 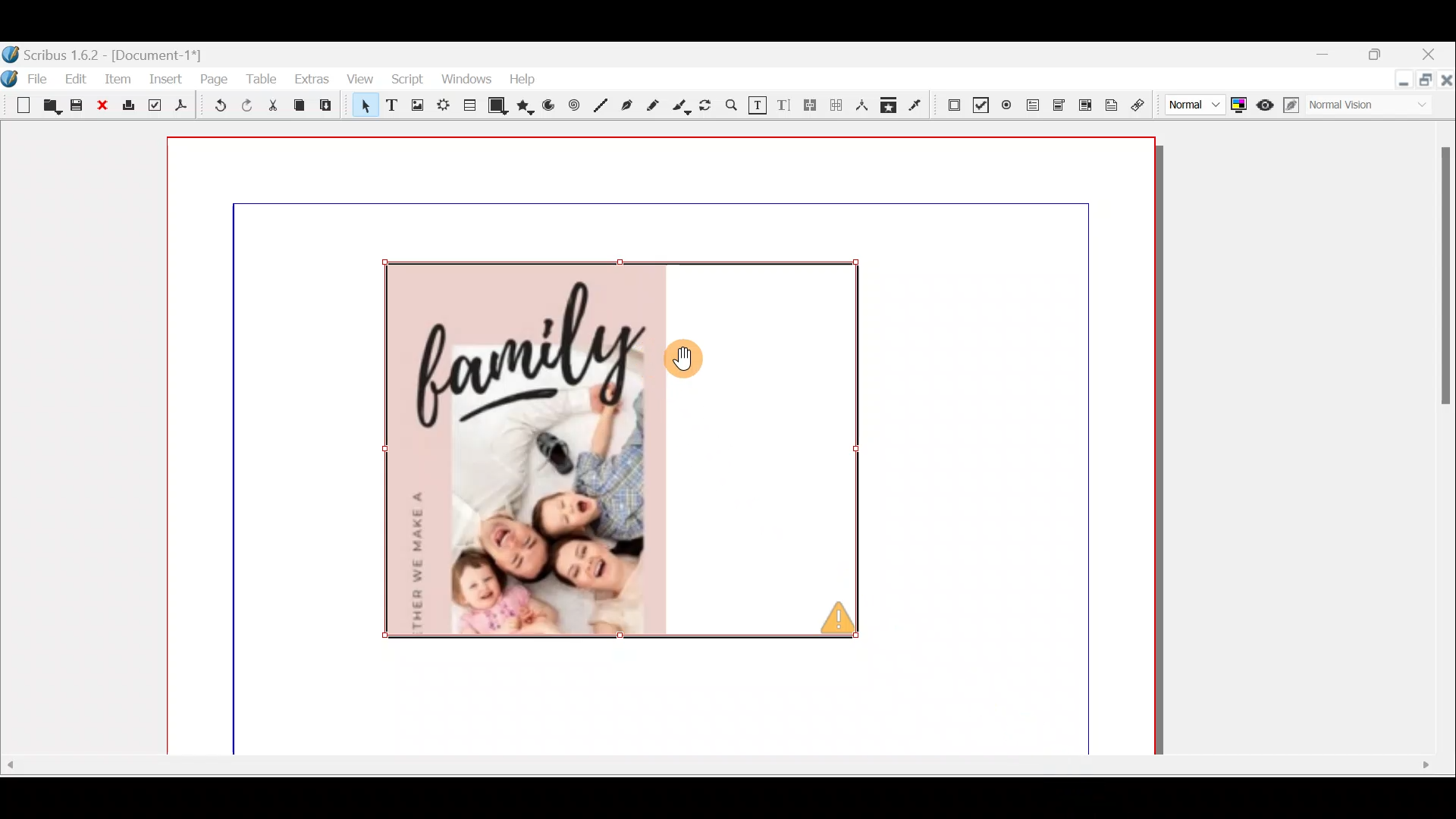 What do you see at coordinates (550, 108) in the screenshot?
I see `Arc` at bounding box center [550, 108].